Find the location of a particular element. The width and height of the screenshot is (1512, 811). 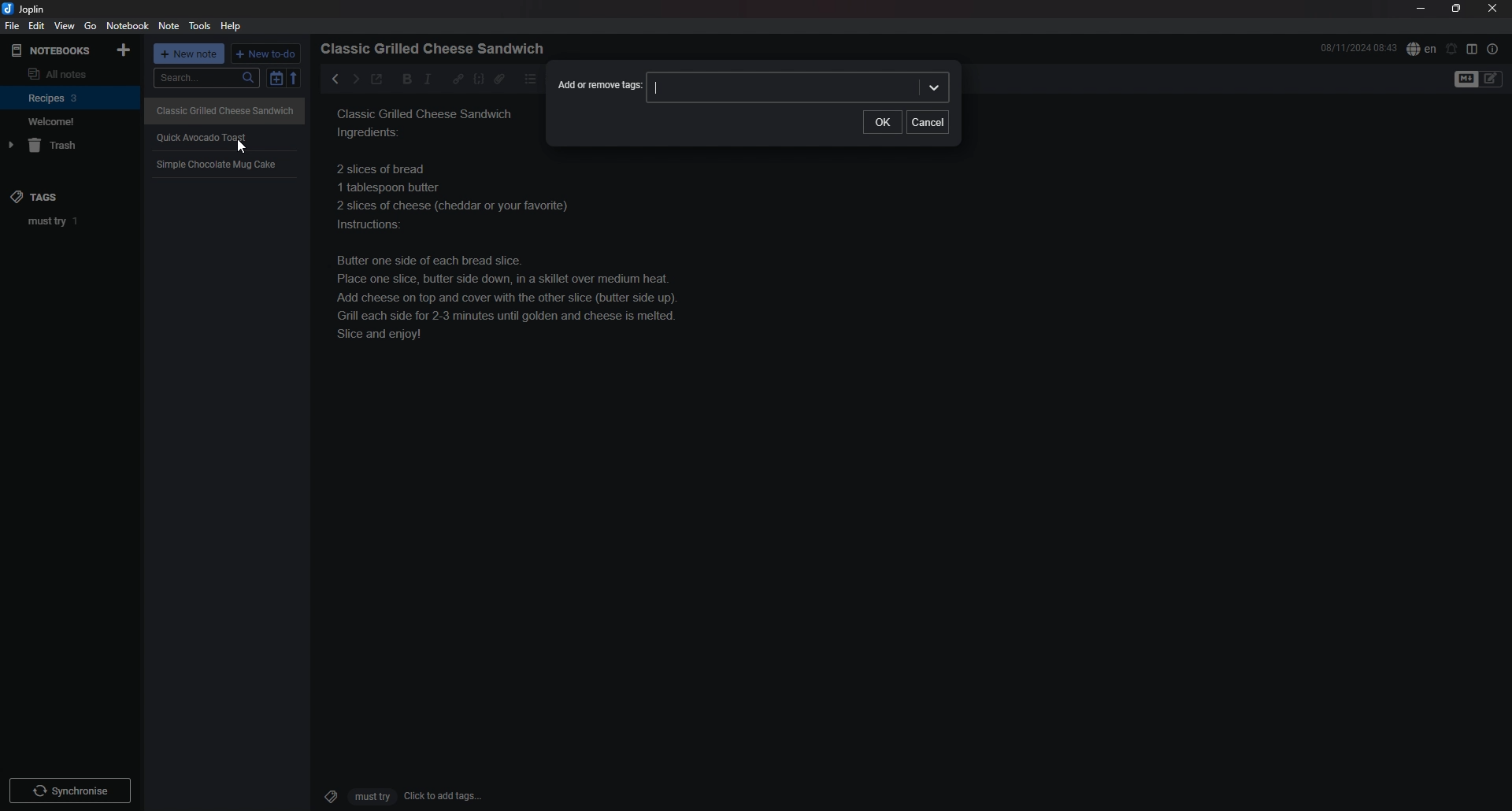

joplin is located at coordinates (26, 9).